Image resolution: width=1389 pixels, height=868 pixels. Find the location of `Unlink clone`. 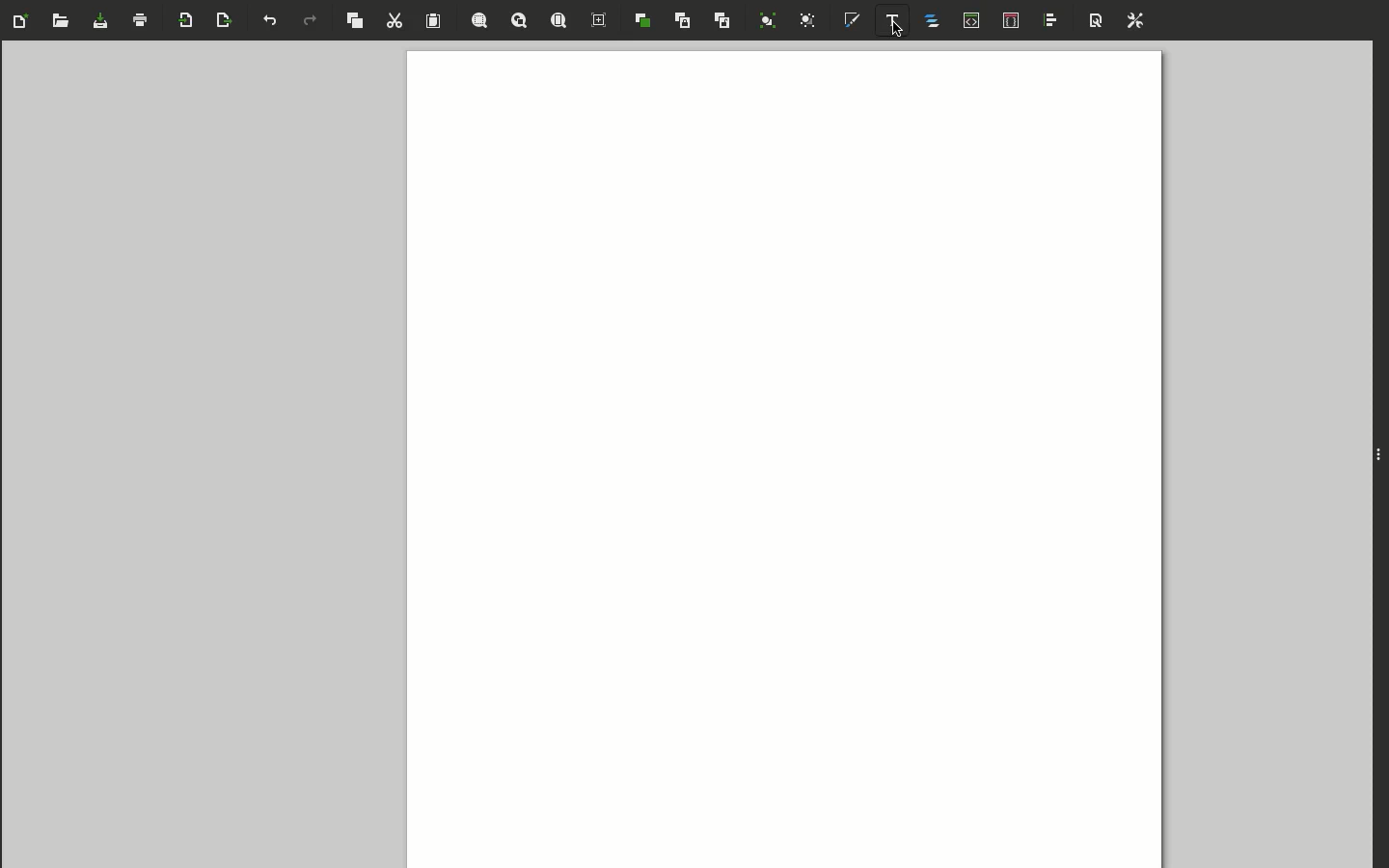

Unlink clone is located at coordinates (722, 25).